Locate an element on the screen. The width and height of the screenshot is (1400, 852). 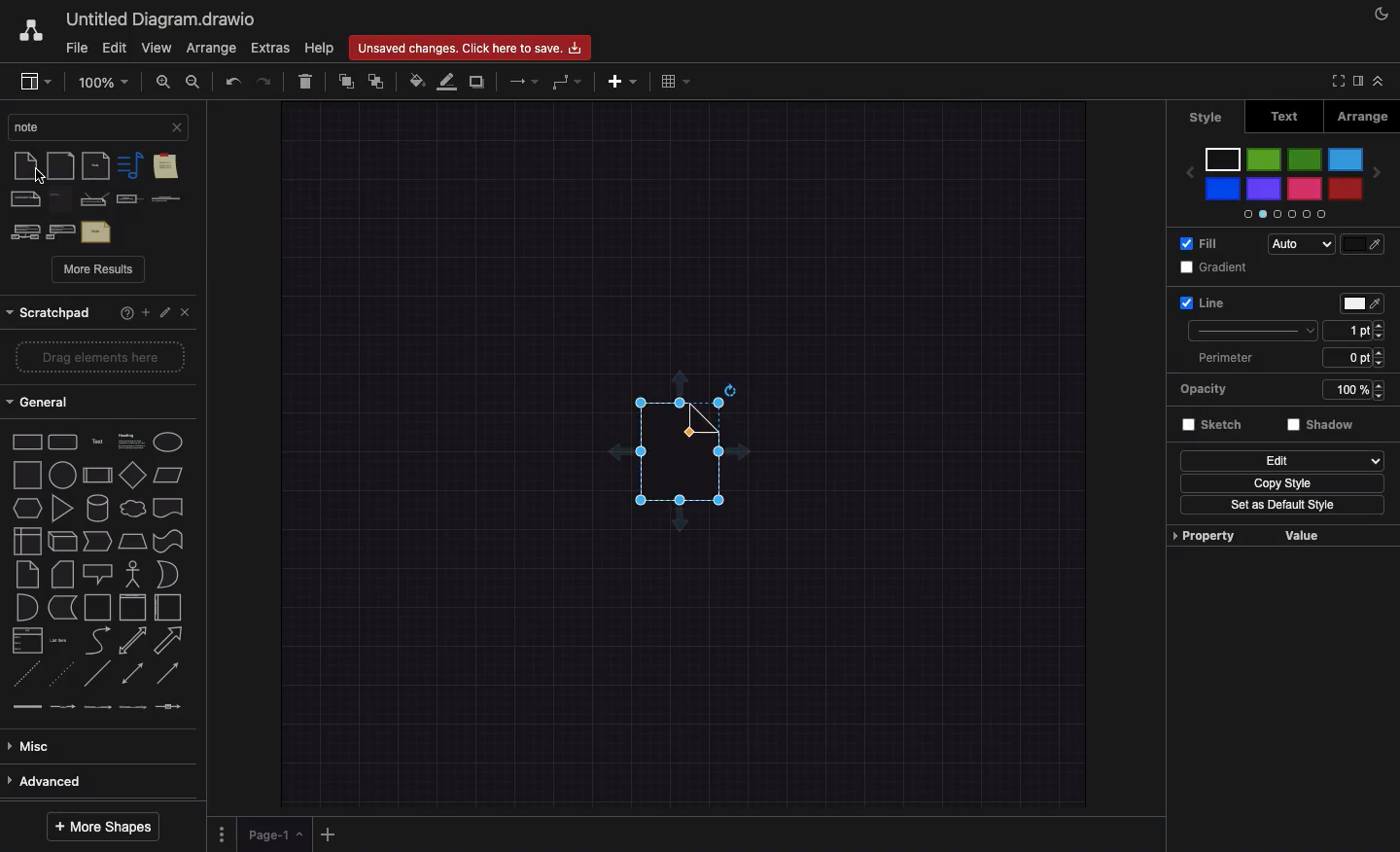
next is located at coordinates (1378, 177).